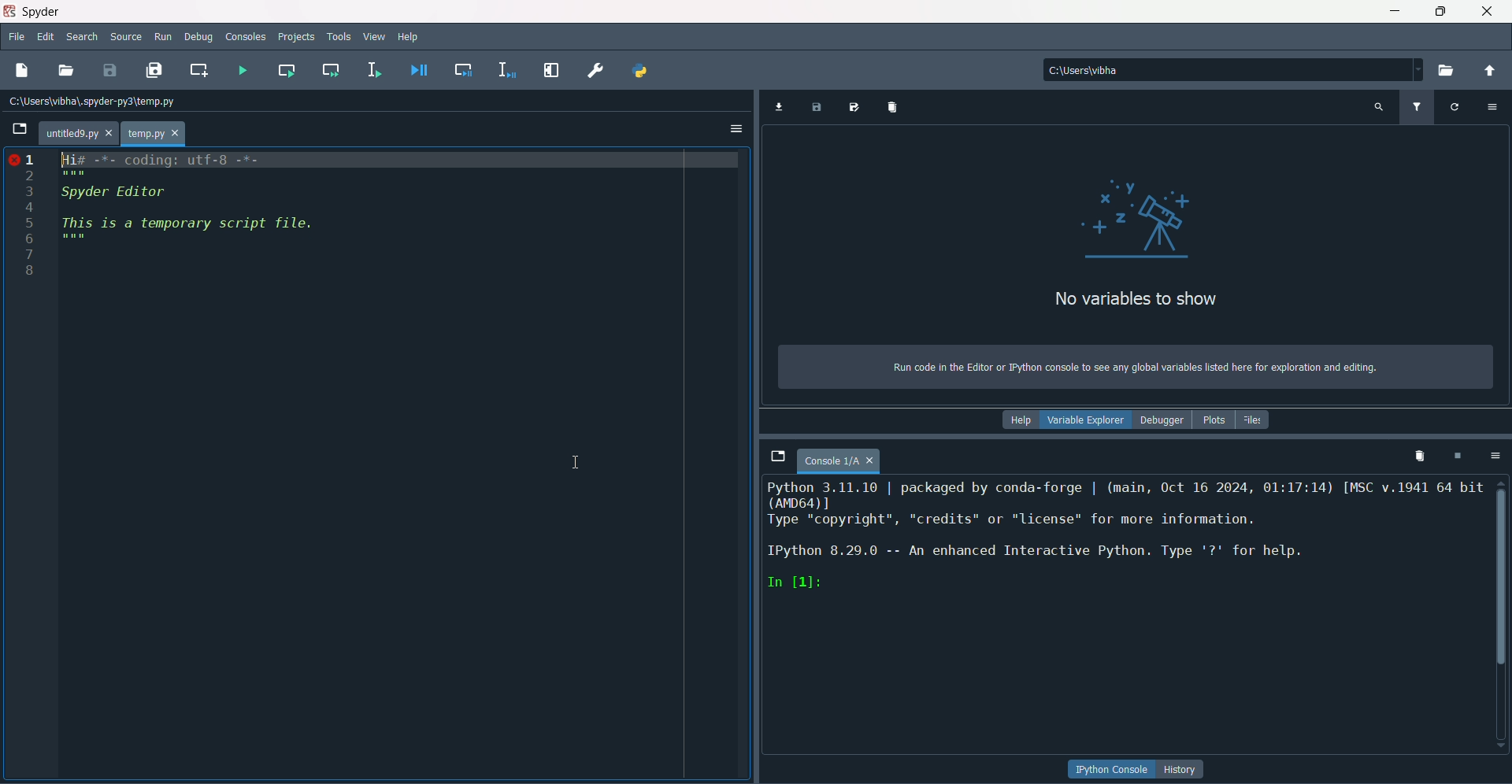  Describe the element at coordinates (202, 70) in the screenshot. I see `create new cell` at that location.